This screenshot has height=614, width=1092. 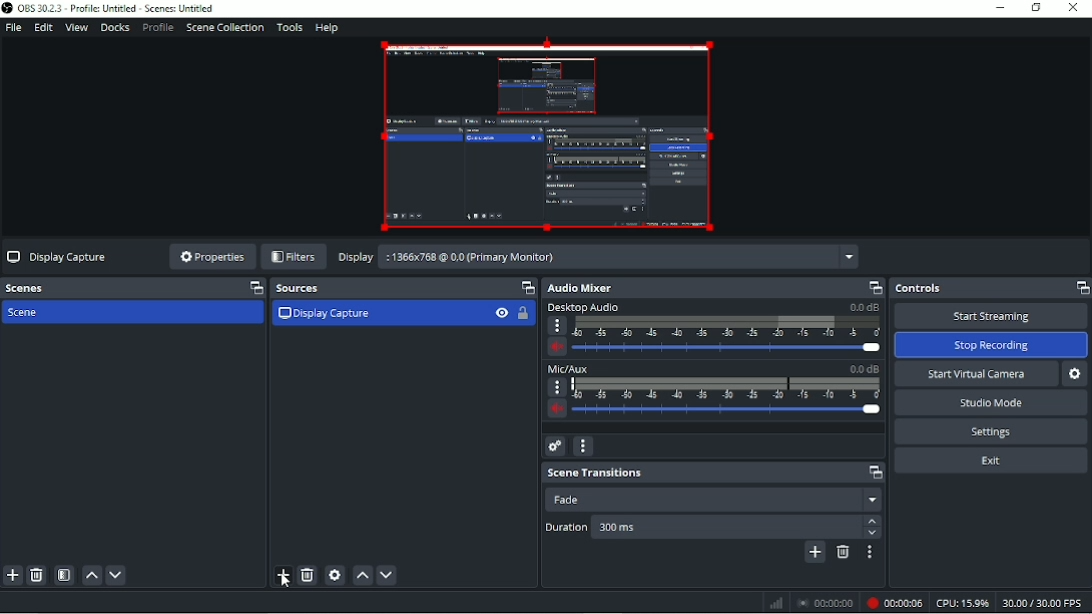 What do you see at coordinates (290, 27) in the screenshot?
I see `Tools` at bounding box center [290, 27].